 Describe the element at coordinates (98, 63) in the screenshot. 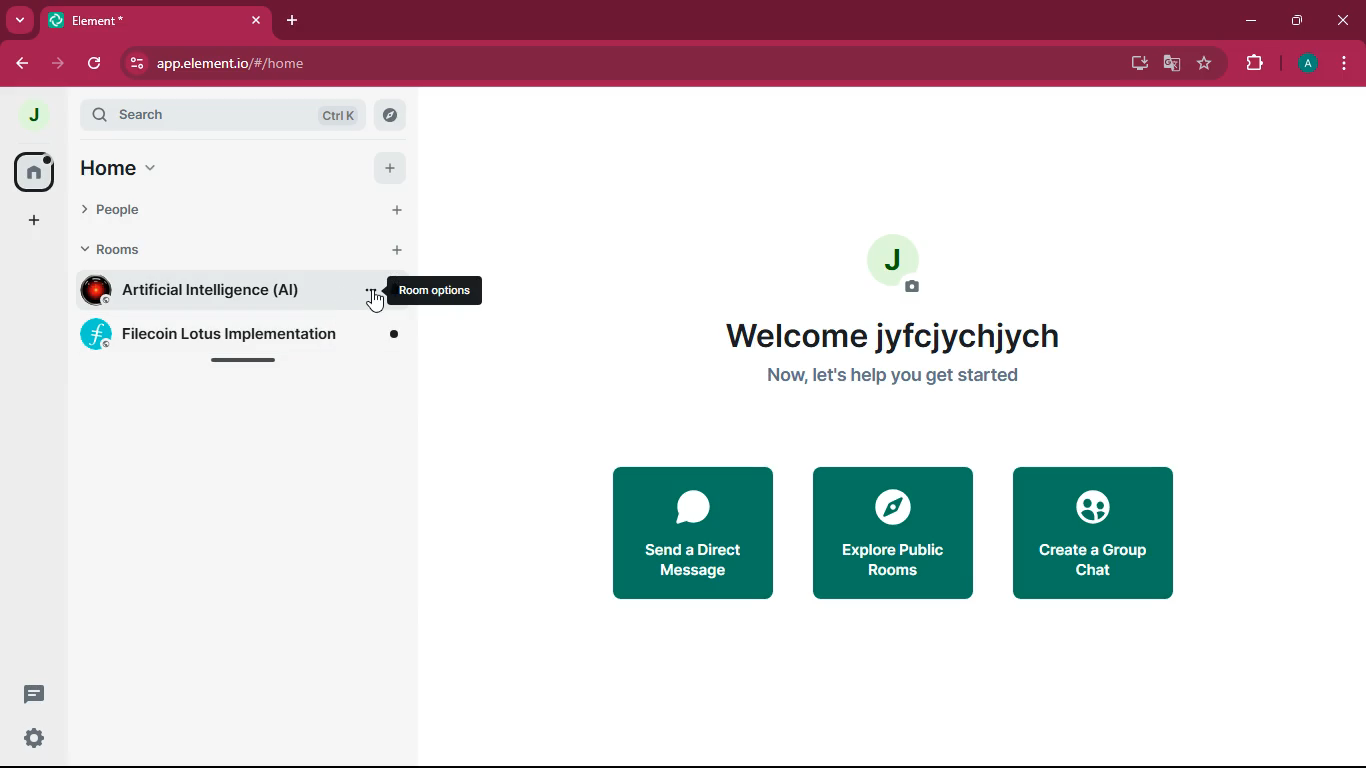

I see `refresh` at that location.